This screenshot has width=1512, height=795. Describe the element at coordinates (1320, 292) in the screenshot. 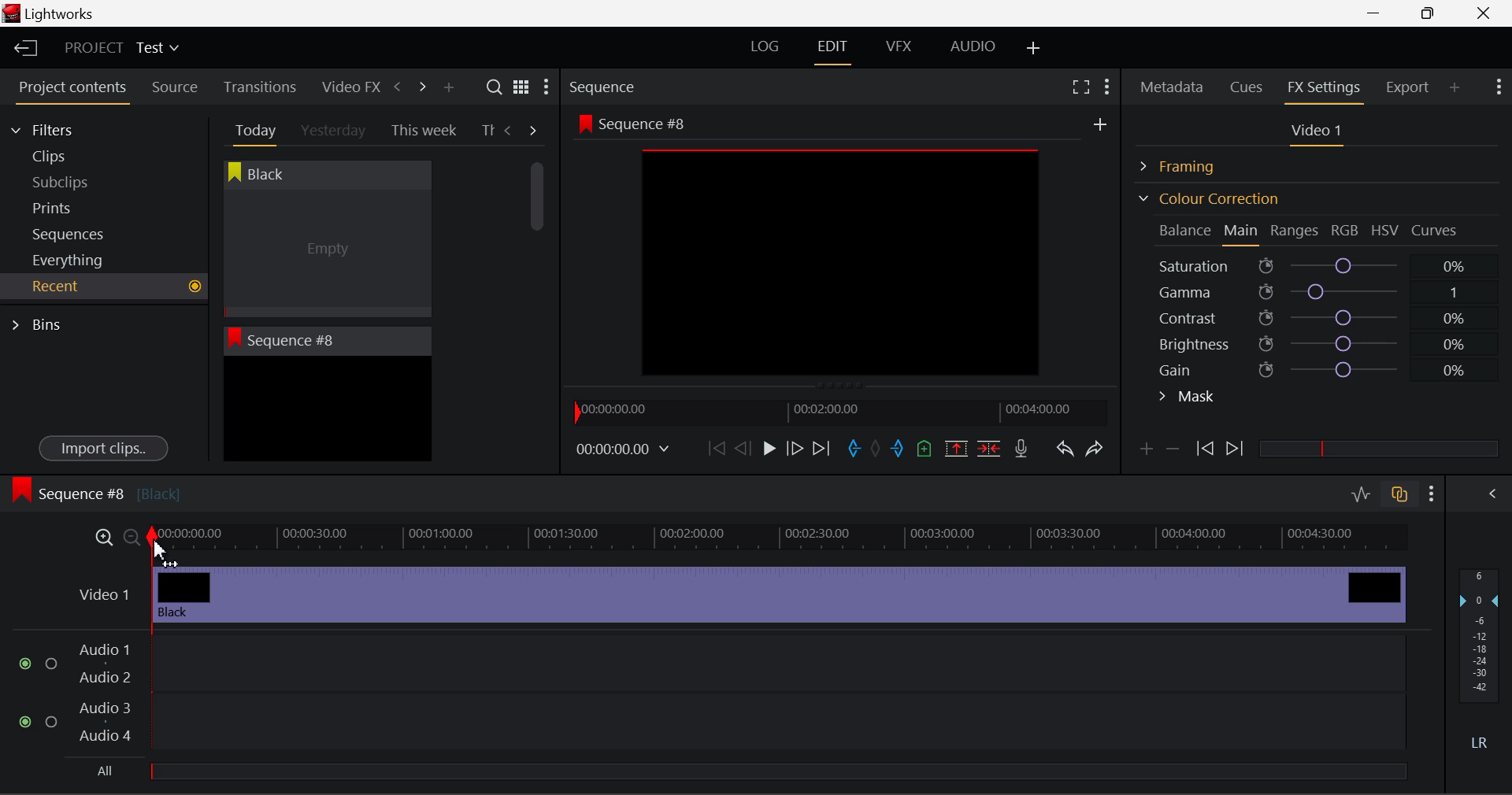

I see `Gamma` at that location.